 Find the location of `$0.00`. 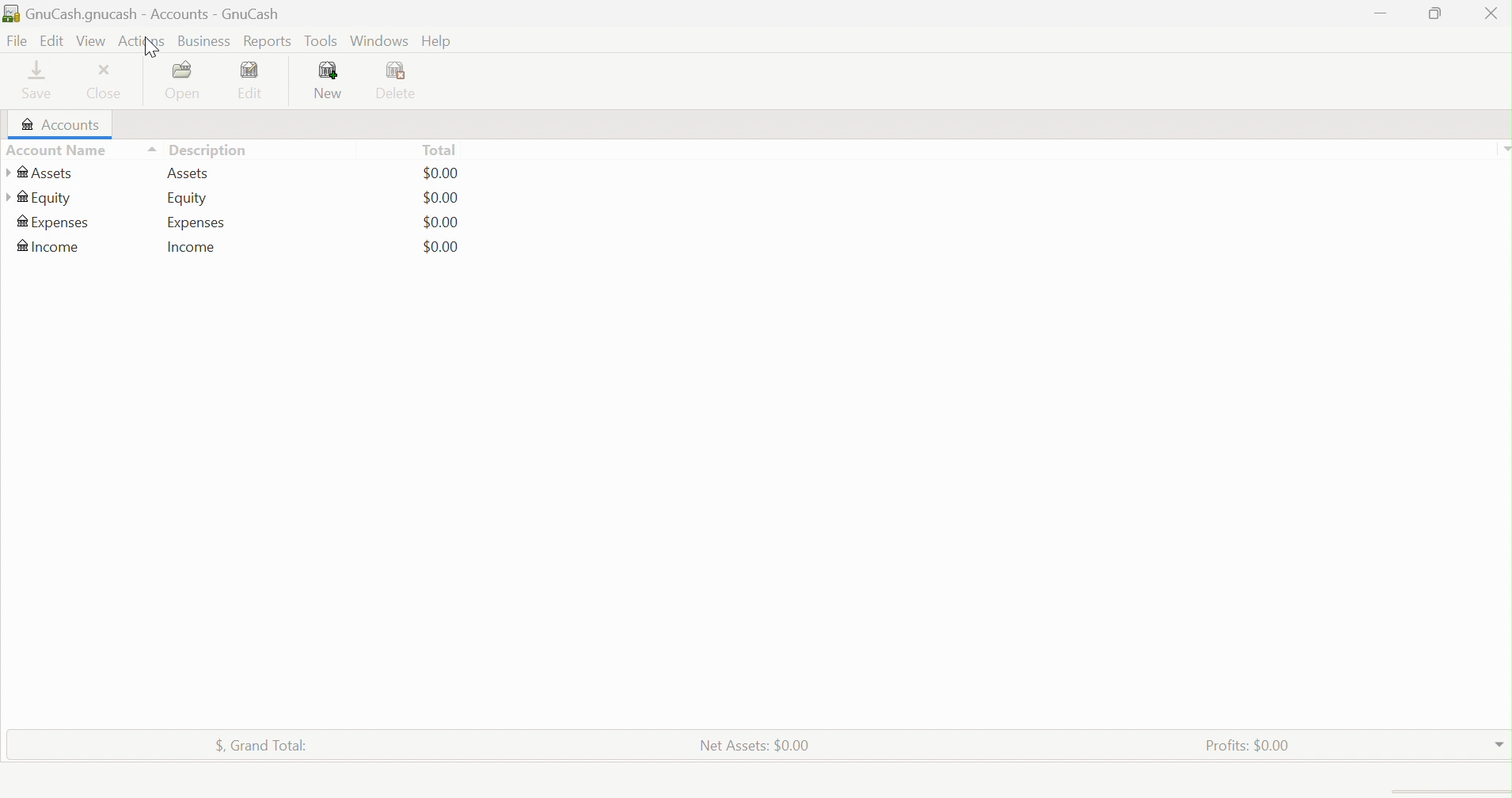

$0.00 is located at coordinates (441, 246).